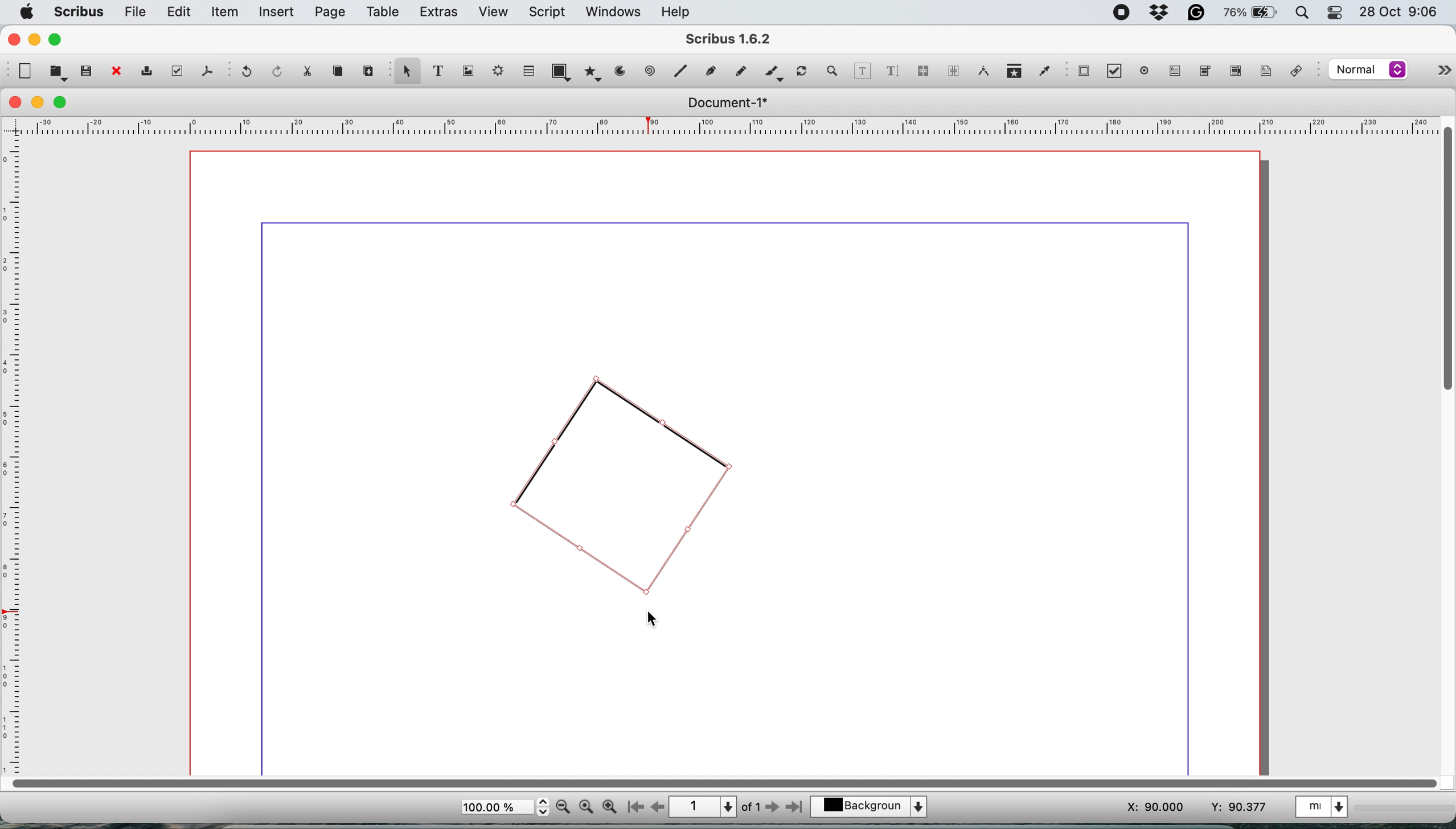 Image resolution: width=1456 pixels, height=829 pixels. What do you see at coordinates (39, 102) in the screenshot?
I see `minimise` at bounding box center [39, 102].